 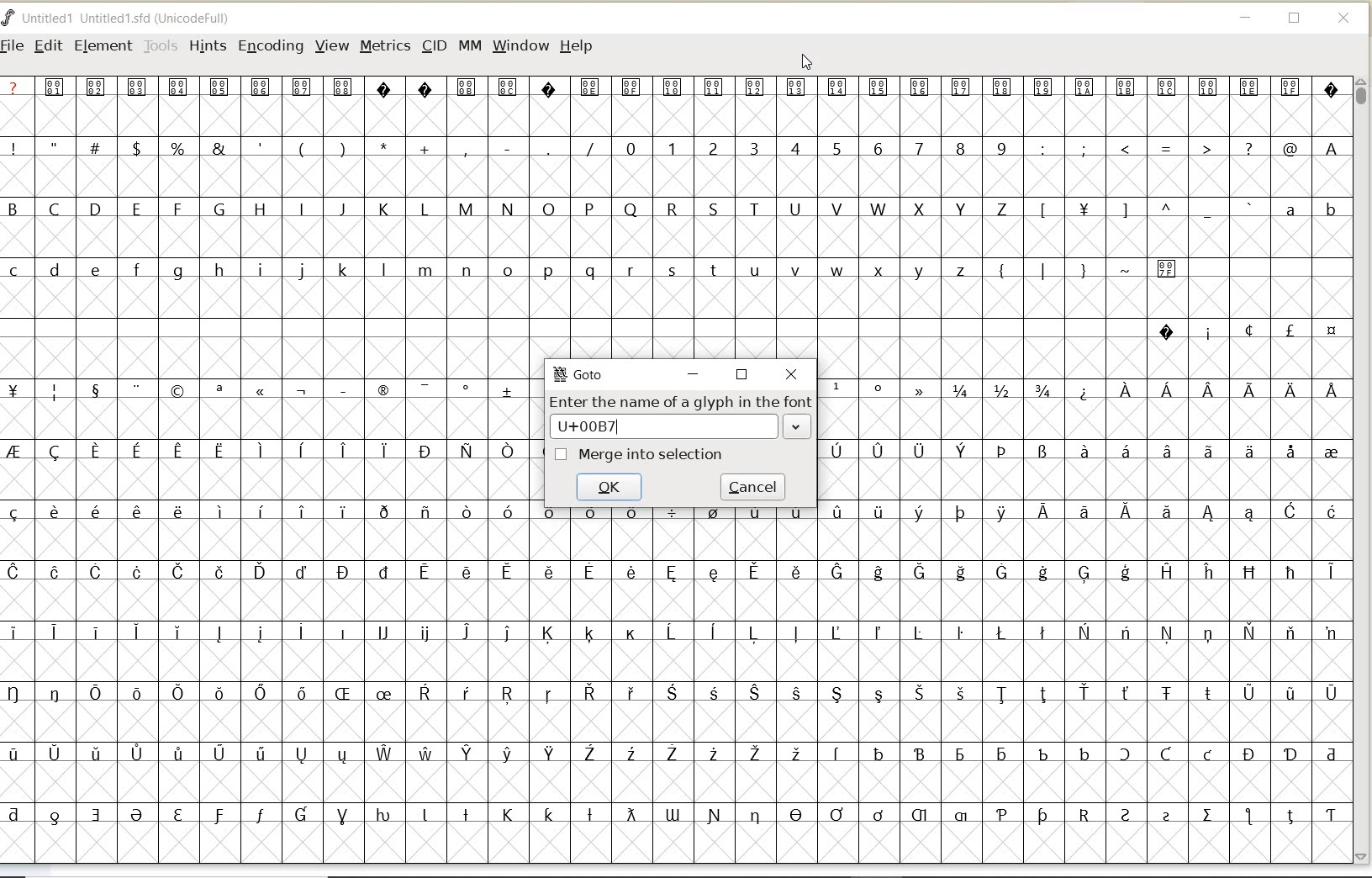 What do you see at coordinates (1295, 21) in the screenshot?
I see `RESTORE` at bounding box center [1295, 21].